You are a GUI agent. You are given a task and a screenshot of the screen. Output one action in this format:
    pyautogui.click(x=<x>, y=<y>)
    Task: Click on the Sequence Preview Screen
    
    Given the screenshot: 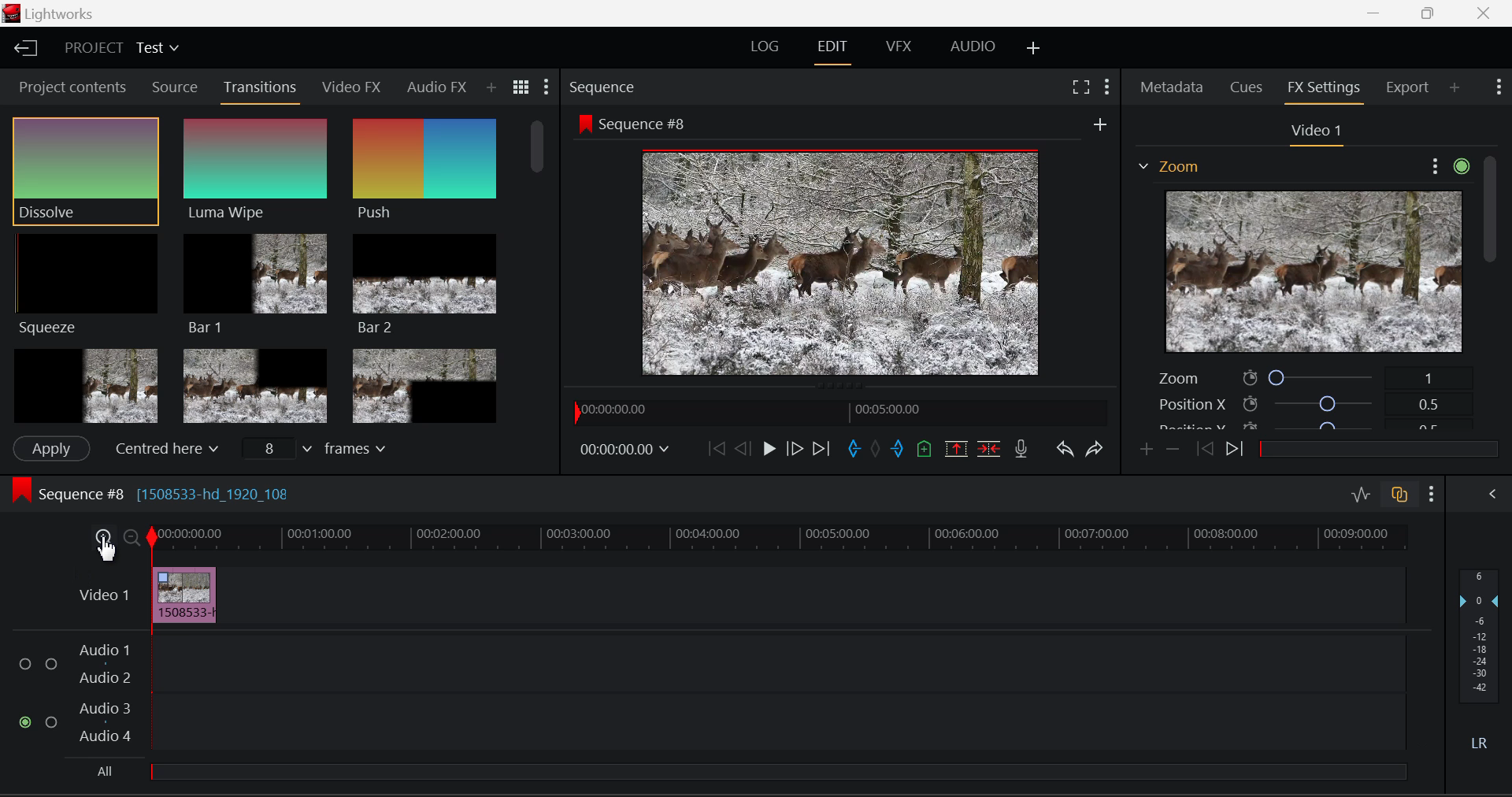 What is the action you would take?
    pyautogui.click(x=841, y=241)
    